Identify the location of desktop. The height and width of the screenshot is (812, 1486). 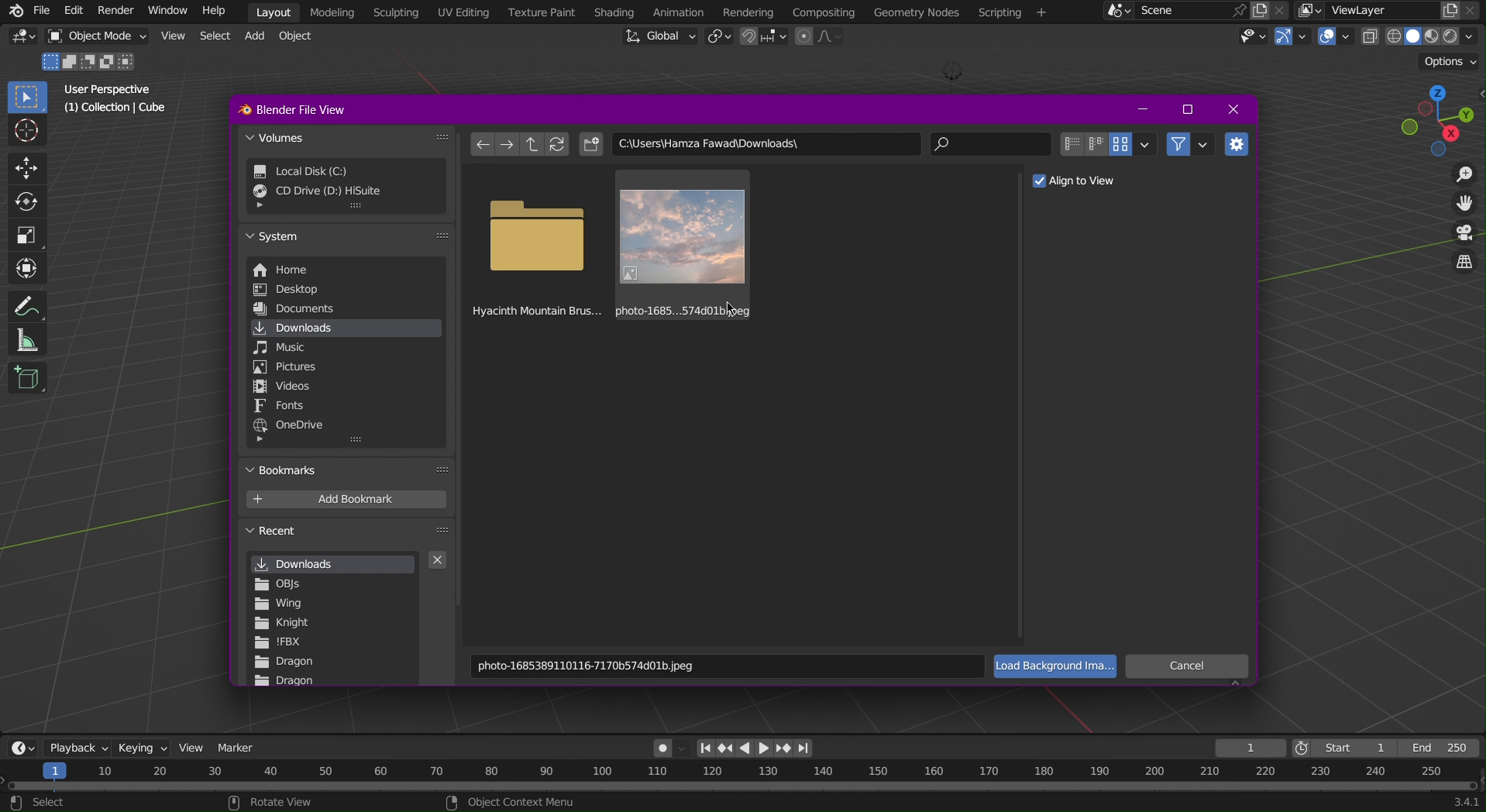
(304, 289).